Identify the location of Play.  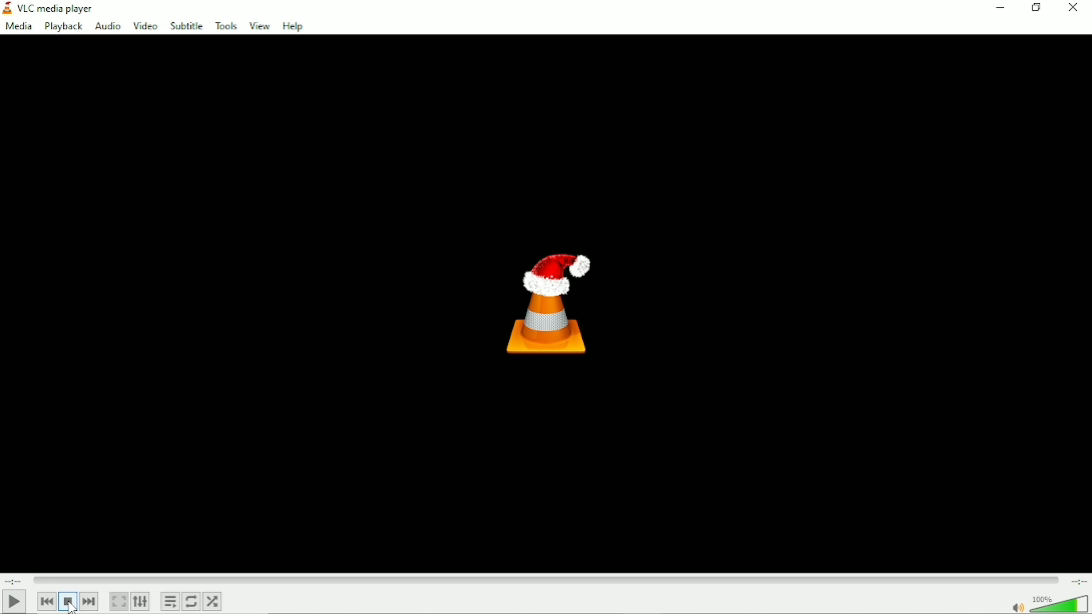
(12, 601).